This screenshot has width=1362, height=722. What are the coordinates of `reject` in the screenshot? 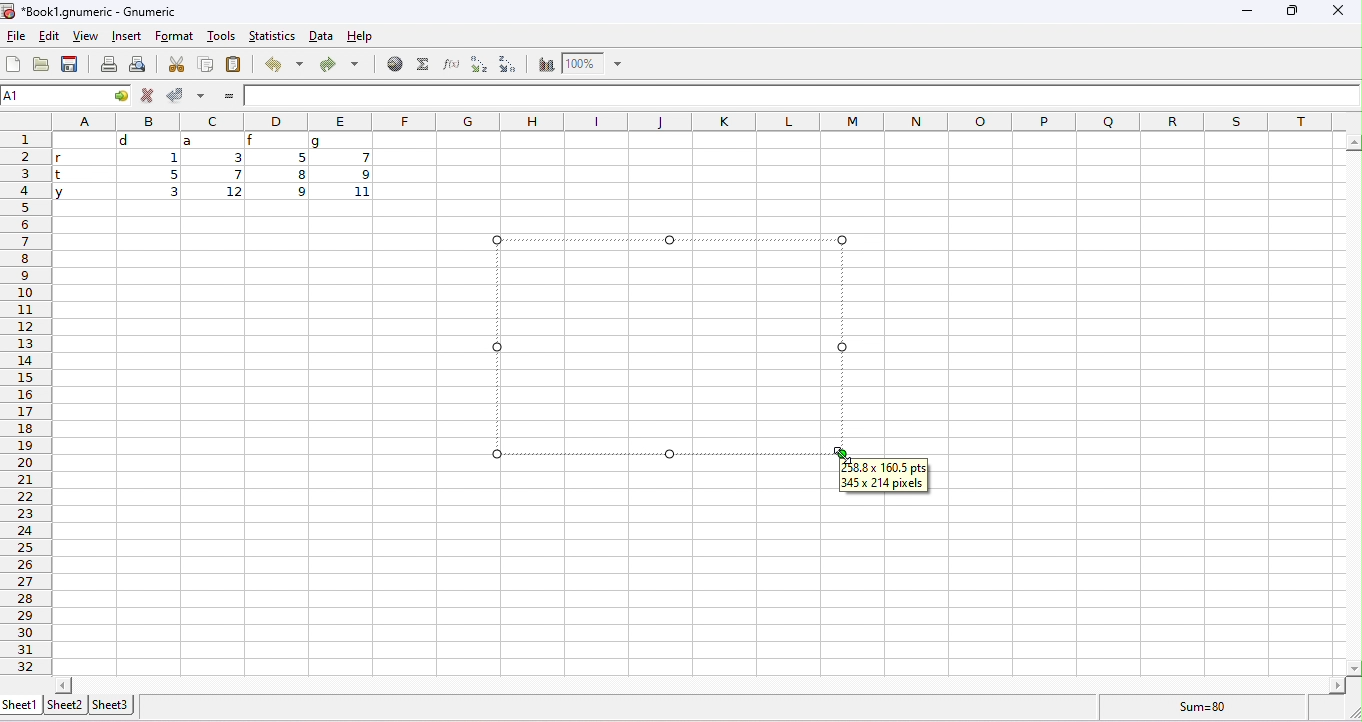 It's located at (146, 95).